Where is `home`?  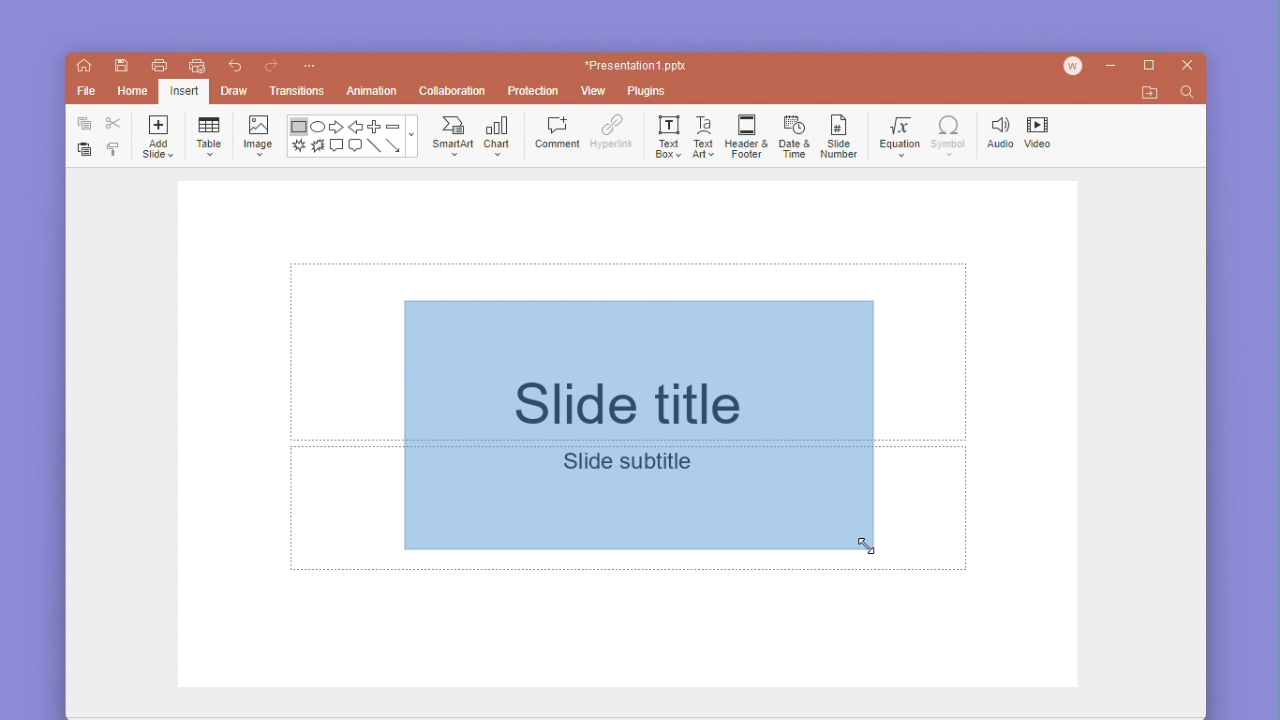 home is located at coordinates (84, 68).